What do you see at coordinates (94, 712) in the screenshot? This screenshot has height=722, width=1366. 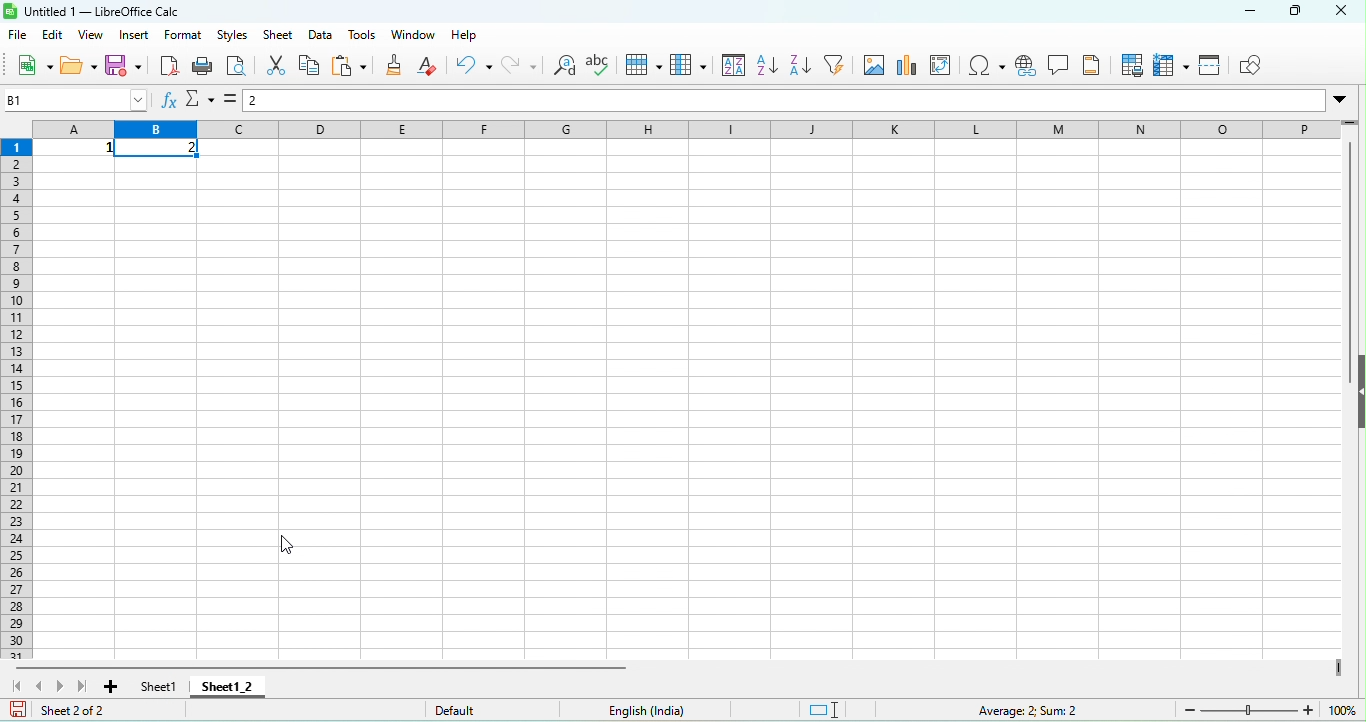 I see `sheet 2 of 2` at bounding box center [94, 712].